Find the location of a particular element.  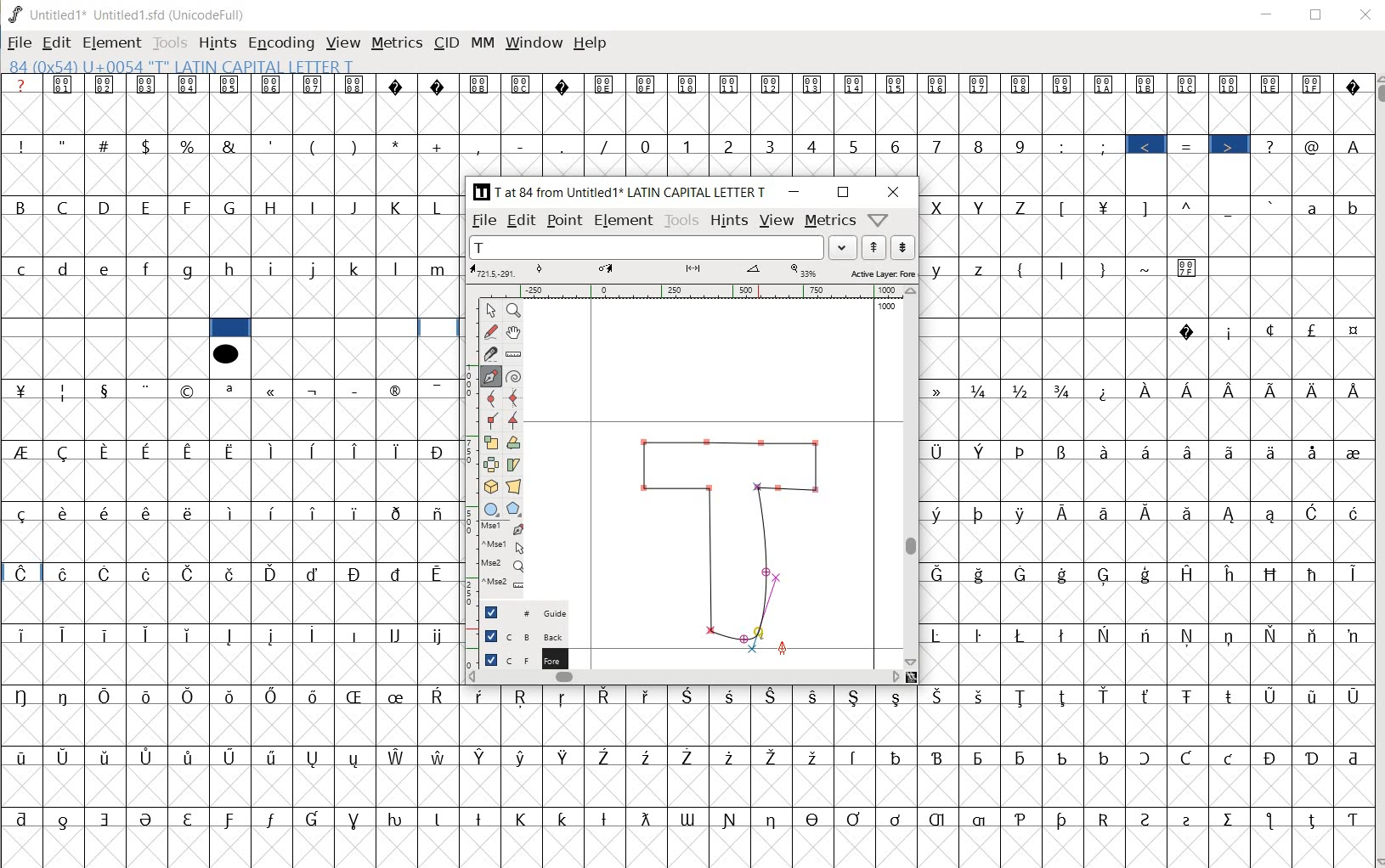

Symbol is located at coordinates (147, 819).